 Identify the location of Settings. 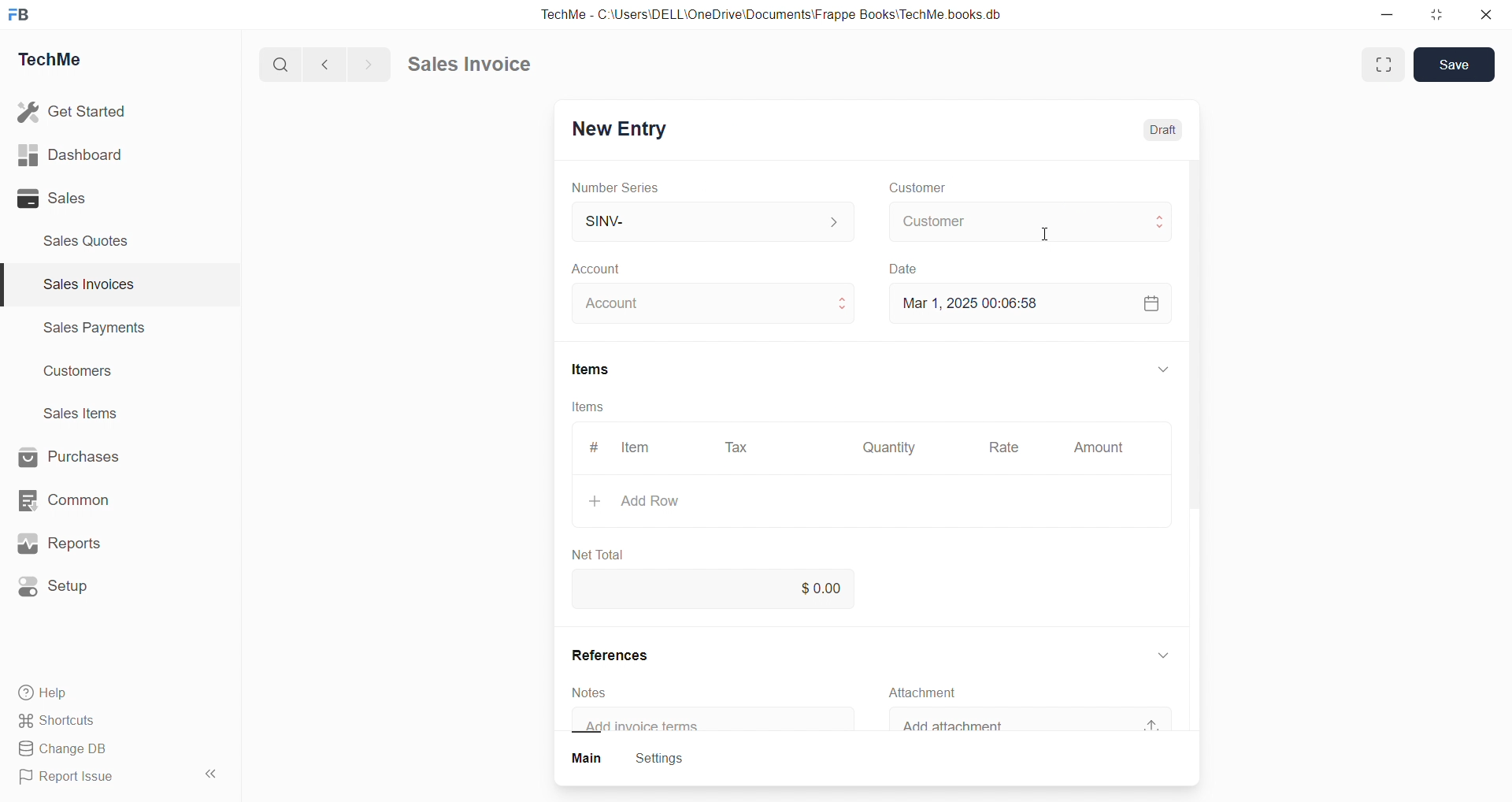
(669, 759).